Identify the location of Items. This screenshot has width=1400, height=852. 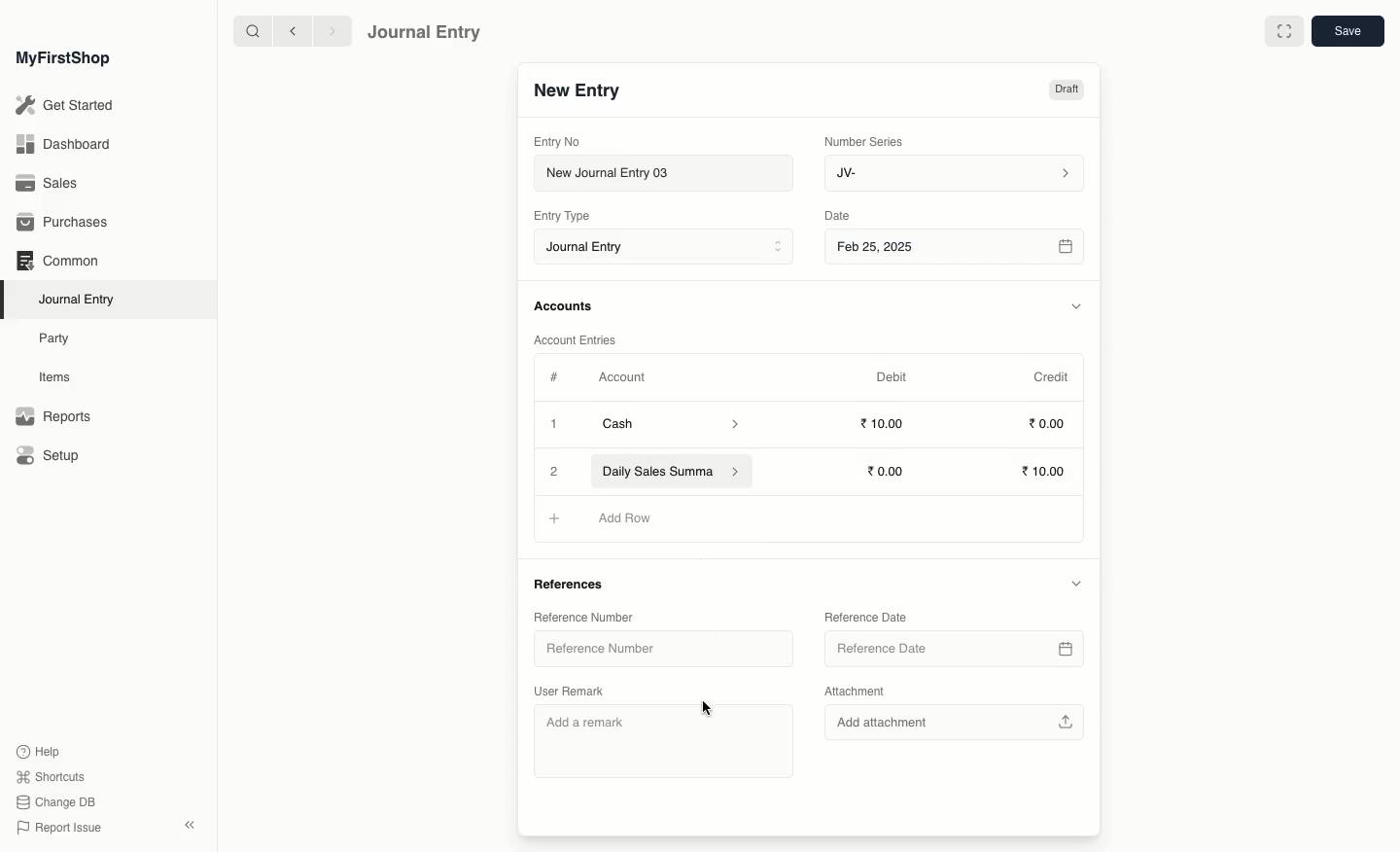
(60, 377).